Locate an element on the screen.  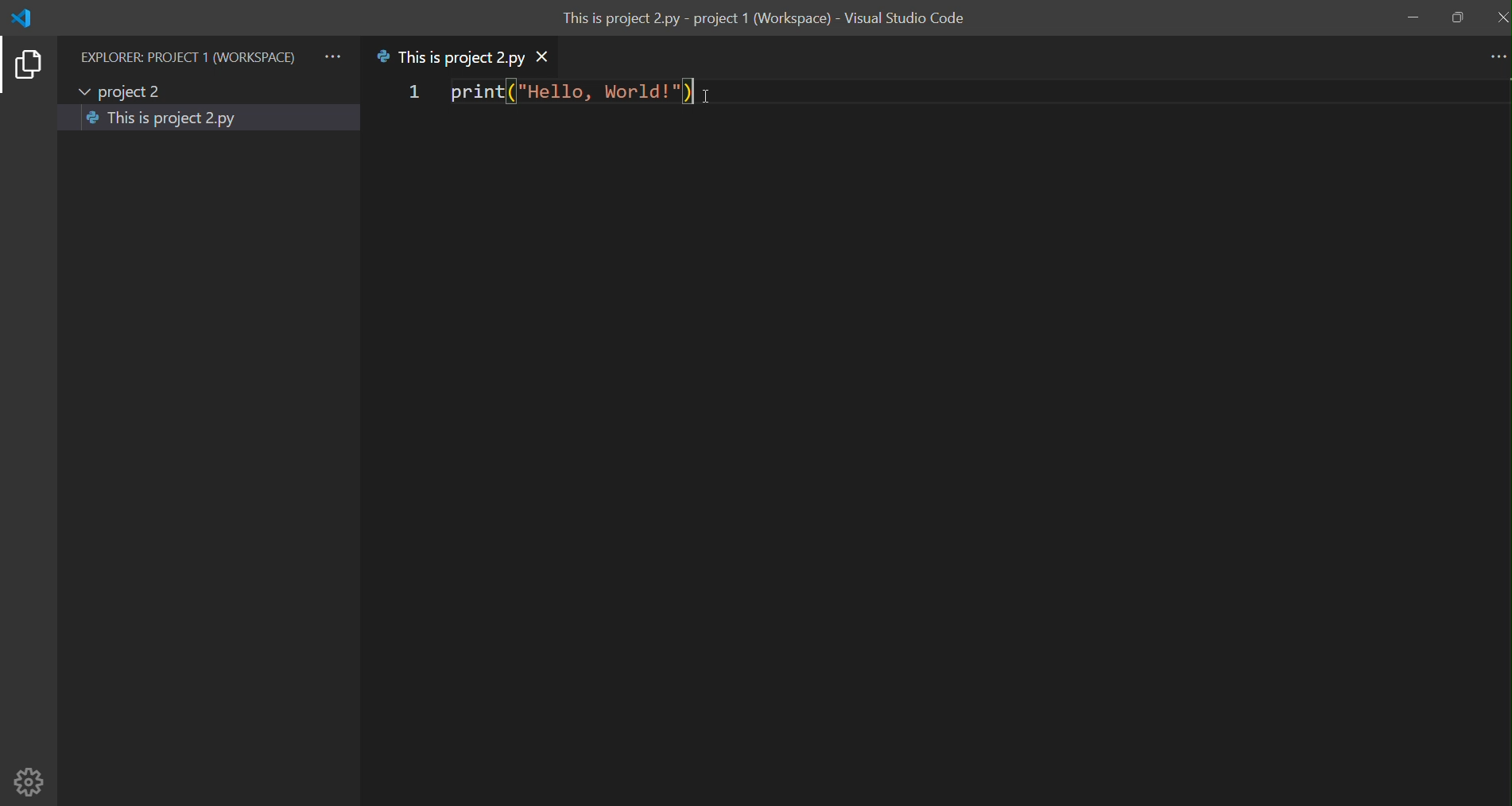
current open file is located at coordinates (211, 118).